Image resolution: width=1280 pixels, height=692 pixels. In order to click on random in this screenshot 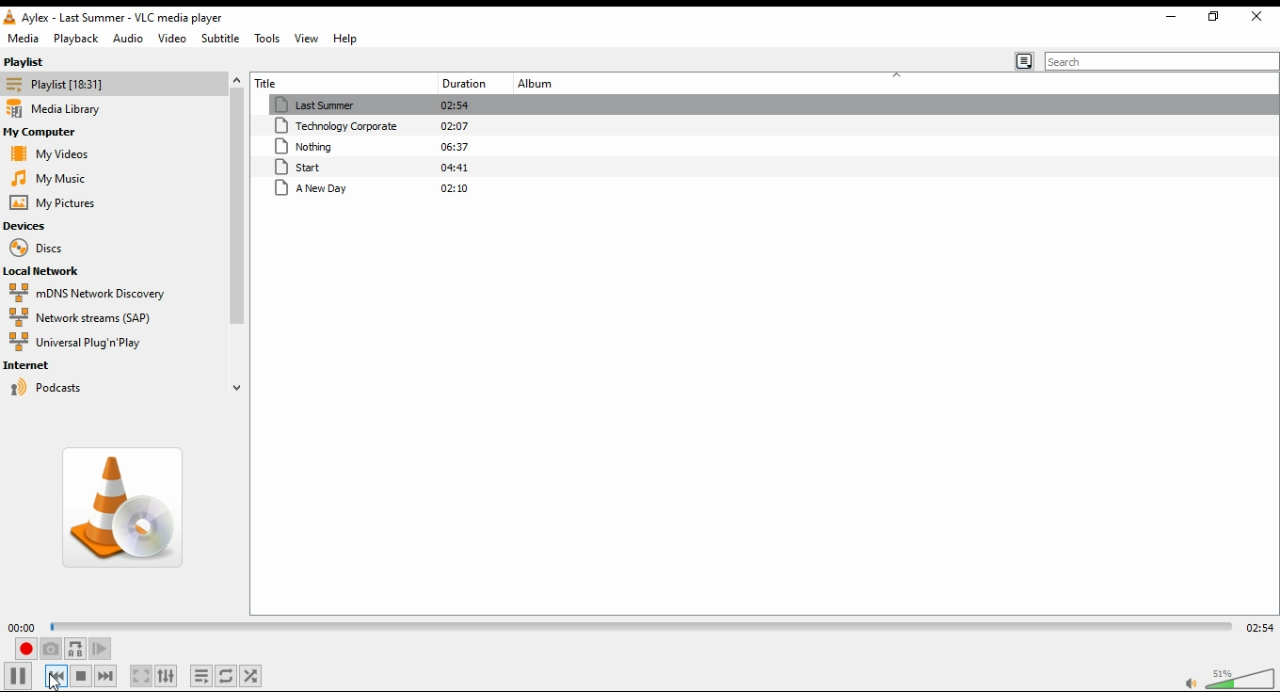, I will do `click(251, 677)`.